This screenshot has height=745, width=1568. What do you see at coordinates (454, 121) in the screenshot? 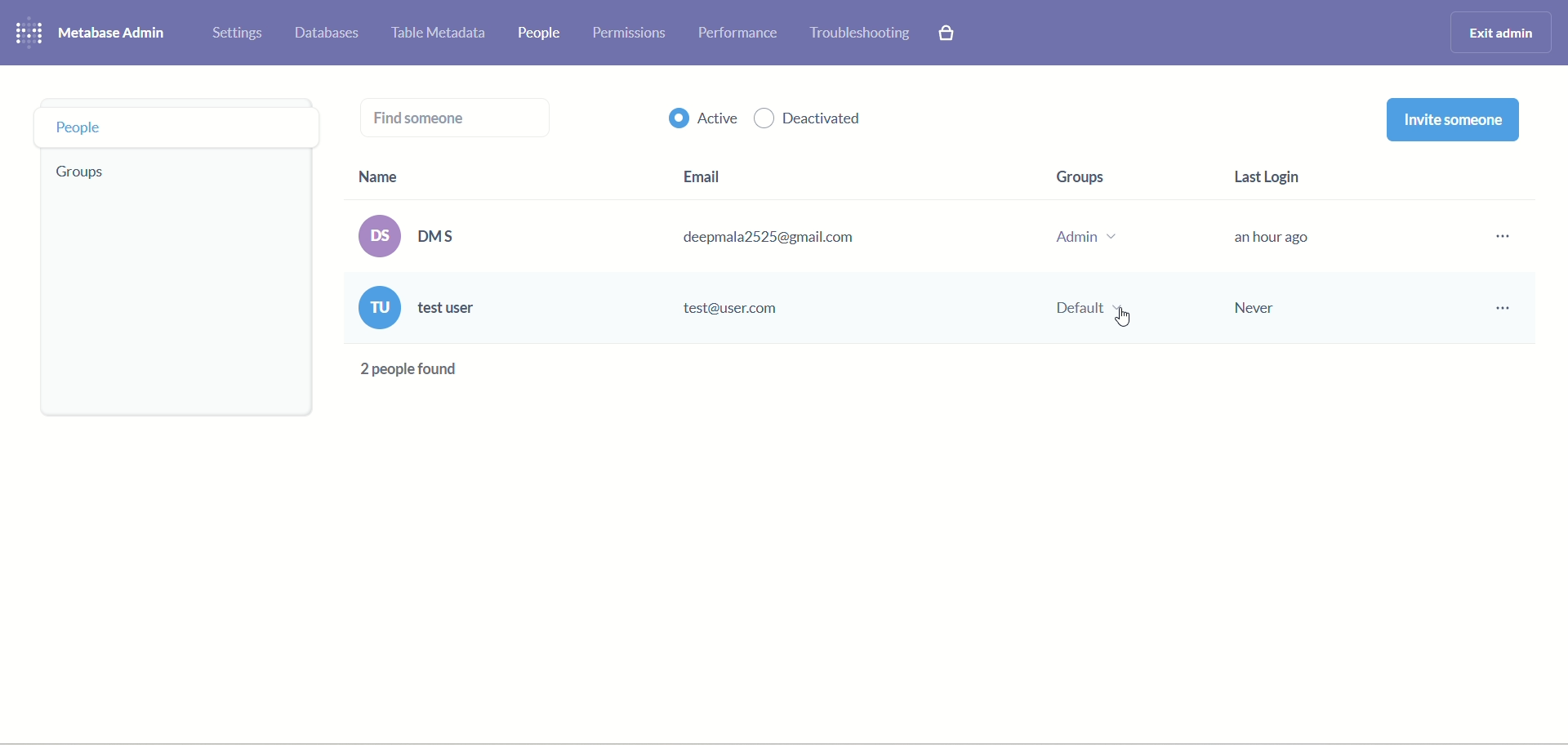
I see `find someone` at bounding box center [454, 121].